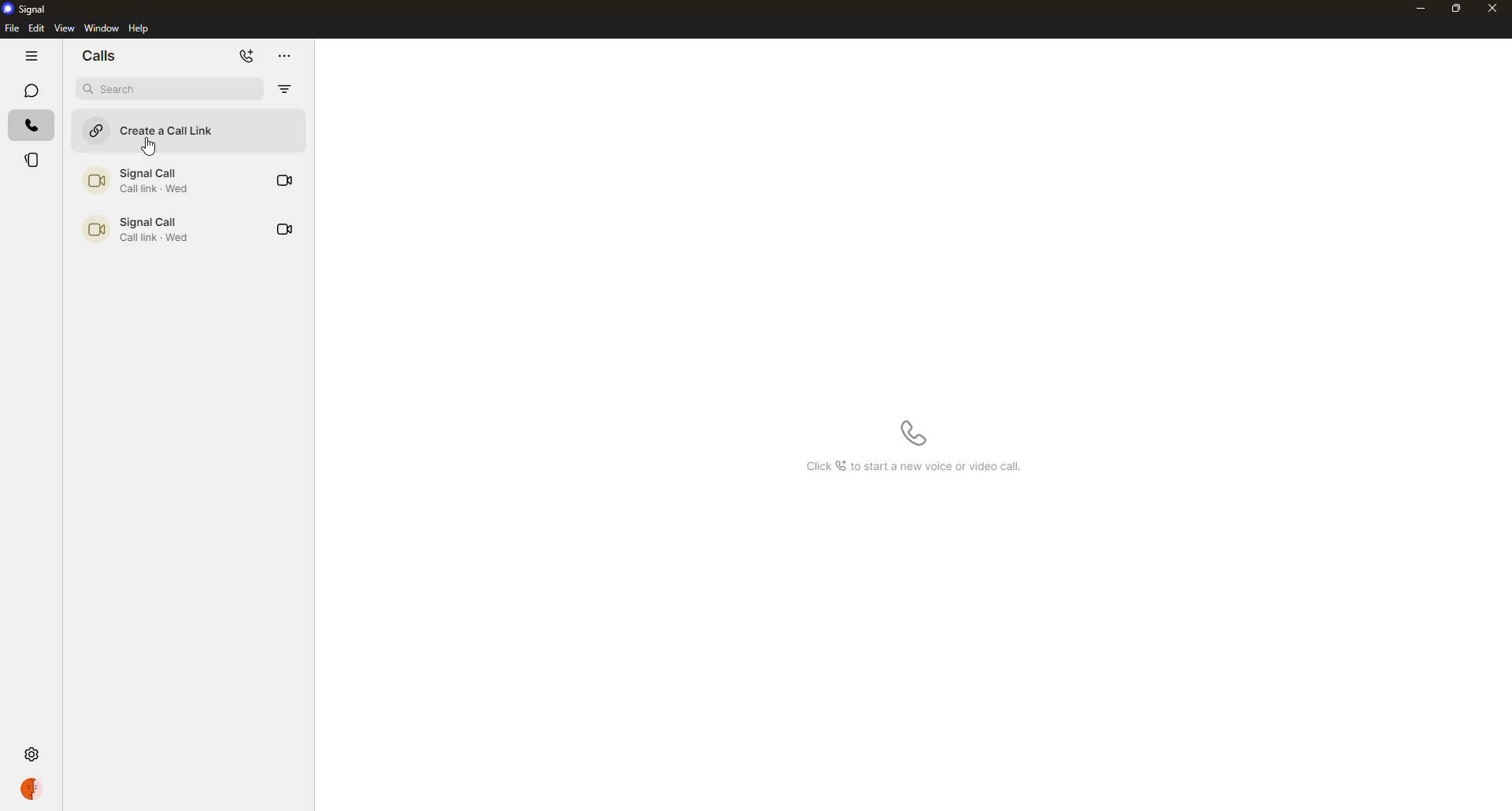 The image size is (1512, 811). I want to click on new call, so click(248, 57).